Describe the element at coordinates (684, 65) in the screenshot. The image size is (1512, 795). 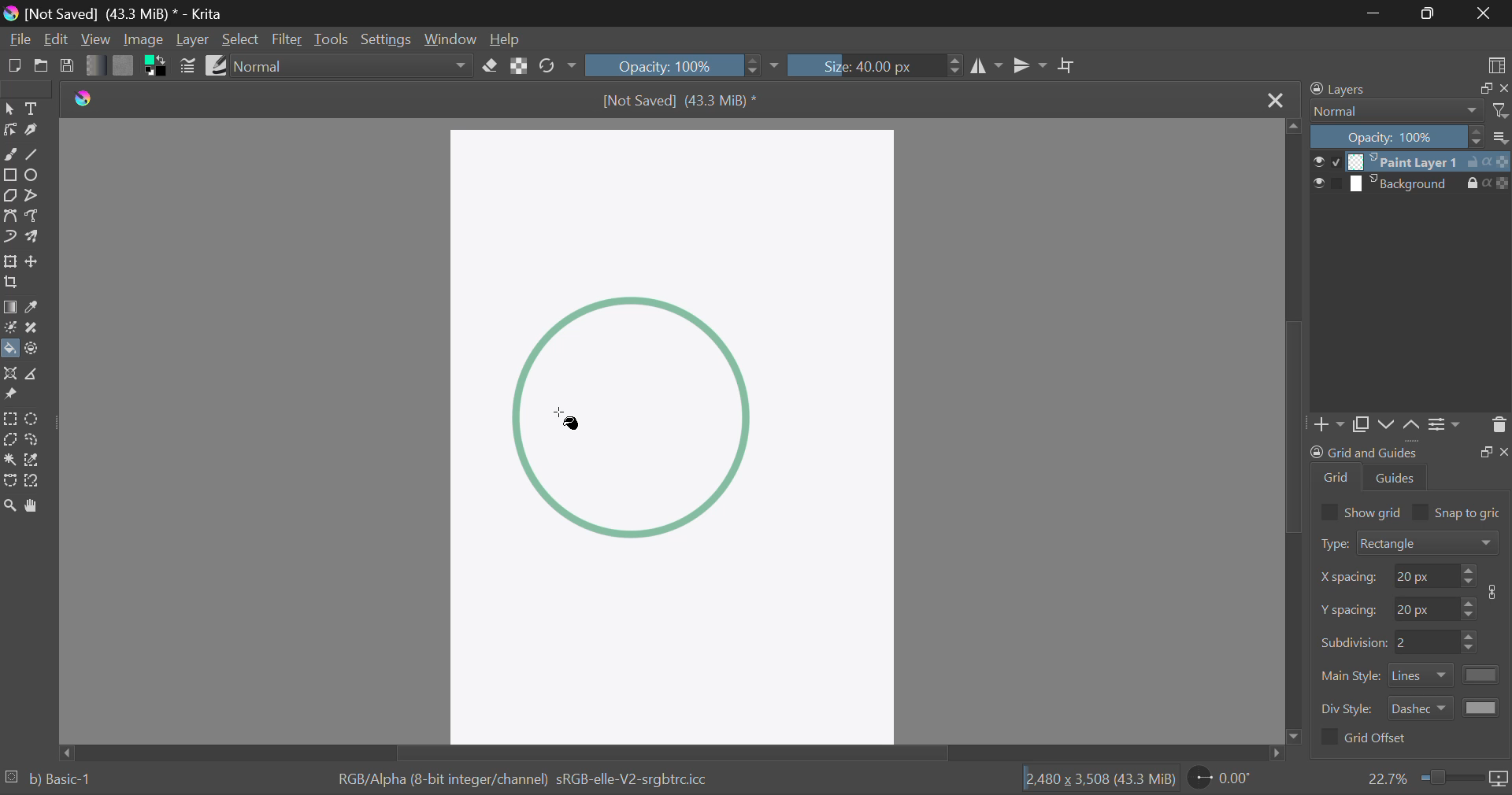
I see `Opacity` at that location.